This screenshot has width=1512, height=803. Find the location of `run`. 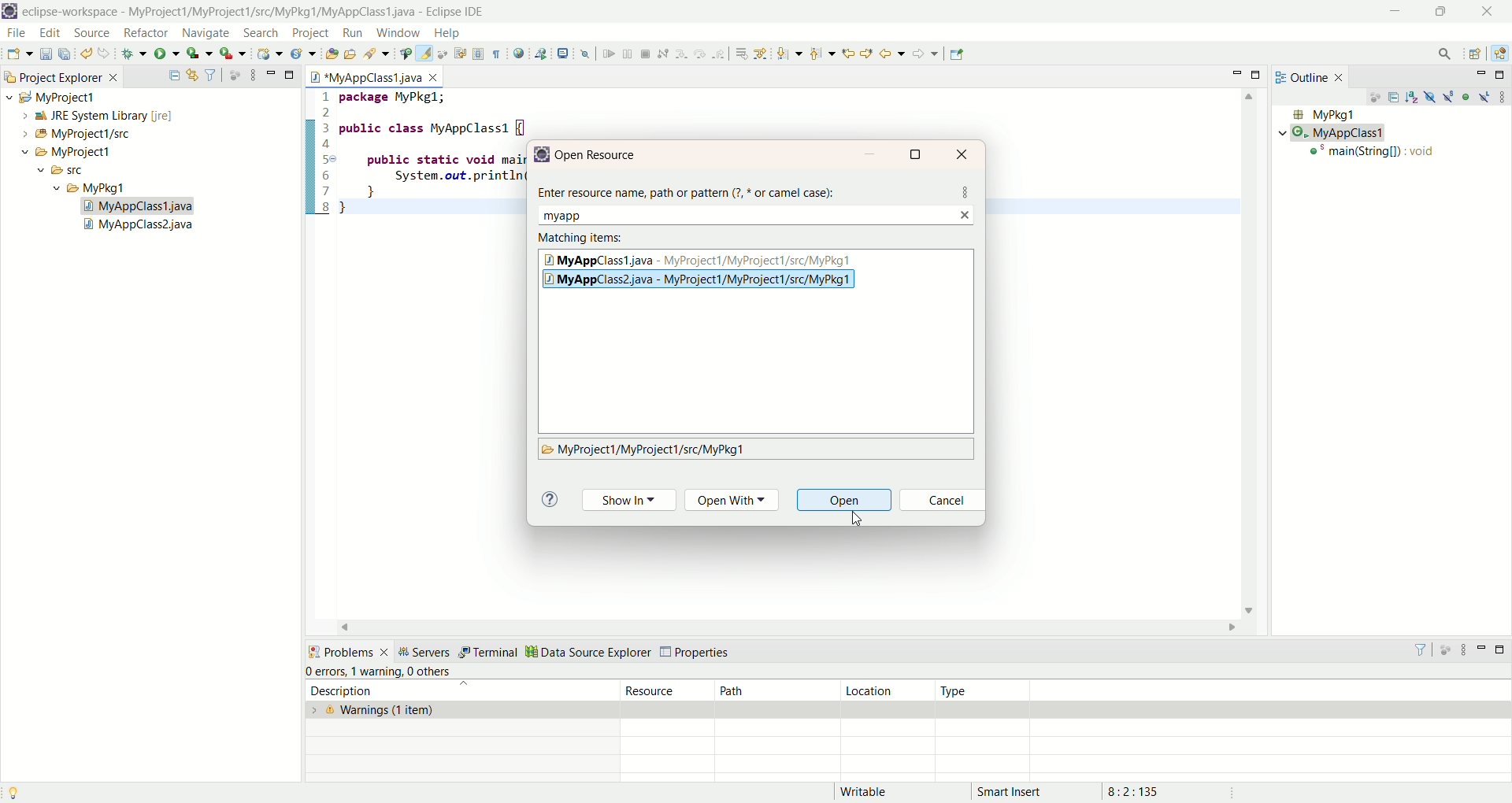

run is located at coordinates (353, 33).